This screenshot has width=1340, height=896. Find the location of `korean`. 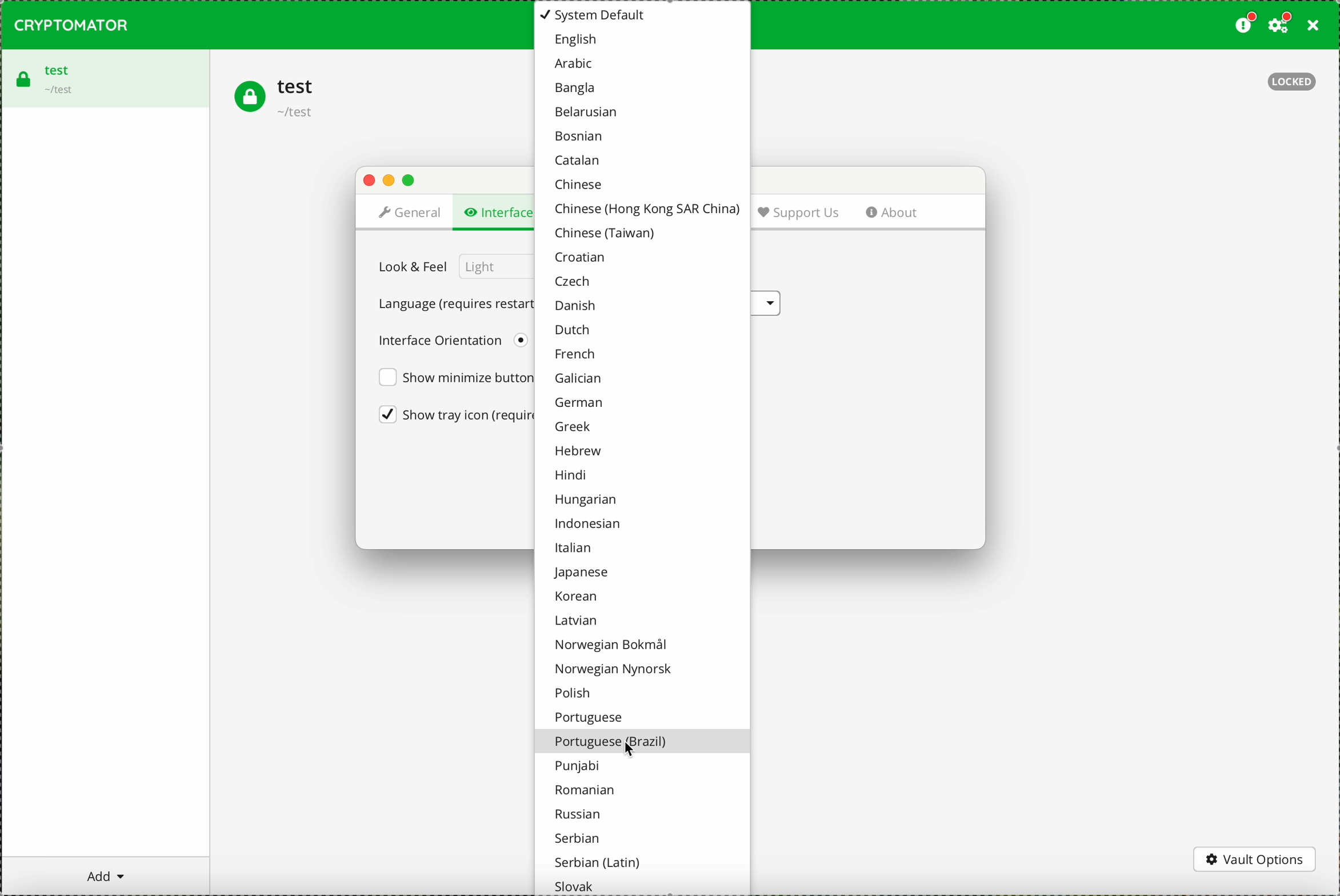

korean is located at coordinates (583, 597).